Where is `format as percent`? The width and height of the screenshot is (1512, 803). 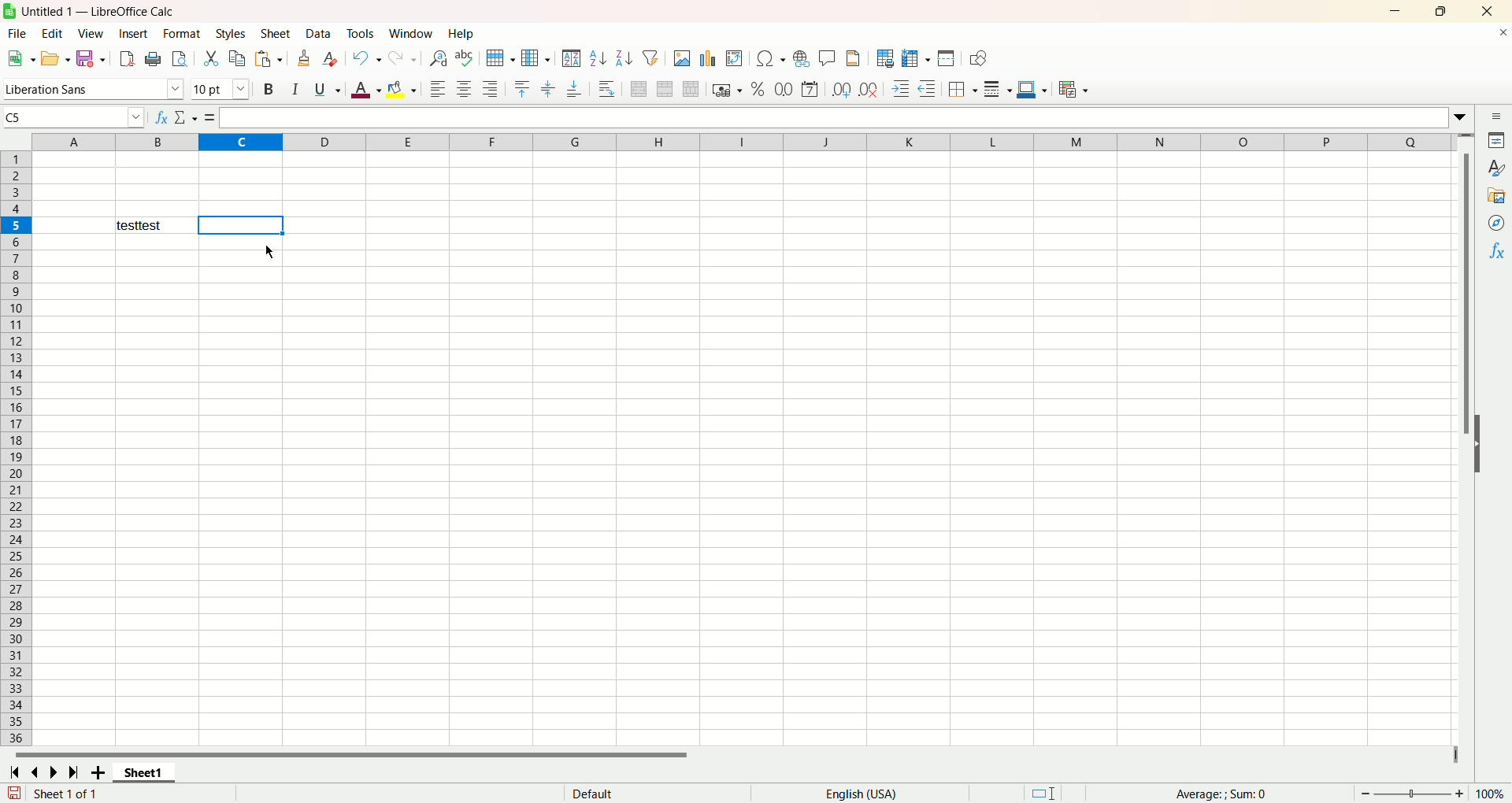 format as percent is located at coordinates (760, 89).